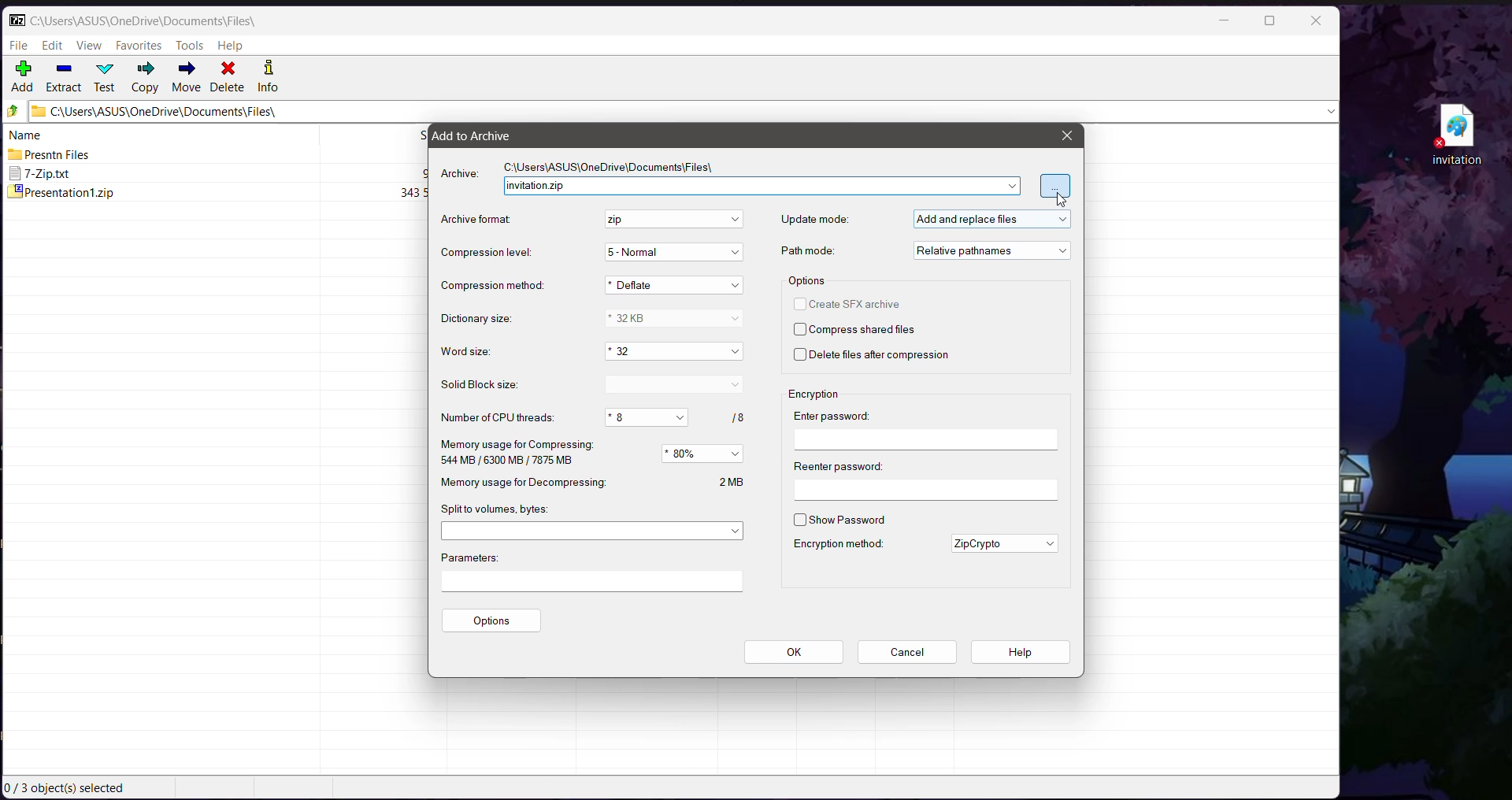 This screenshot has height=800, width=1512. Describe the element at coordinates (705, 454) in the screenshot. I see `Set the memory usage for Compressing in precentage` at that location.